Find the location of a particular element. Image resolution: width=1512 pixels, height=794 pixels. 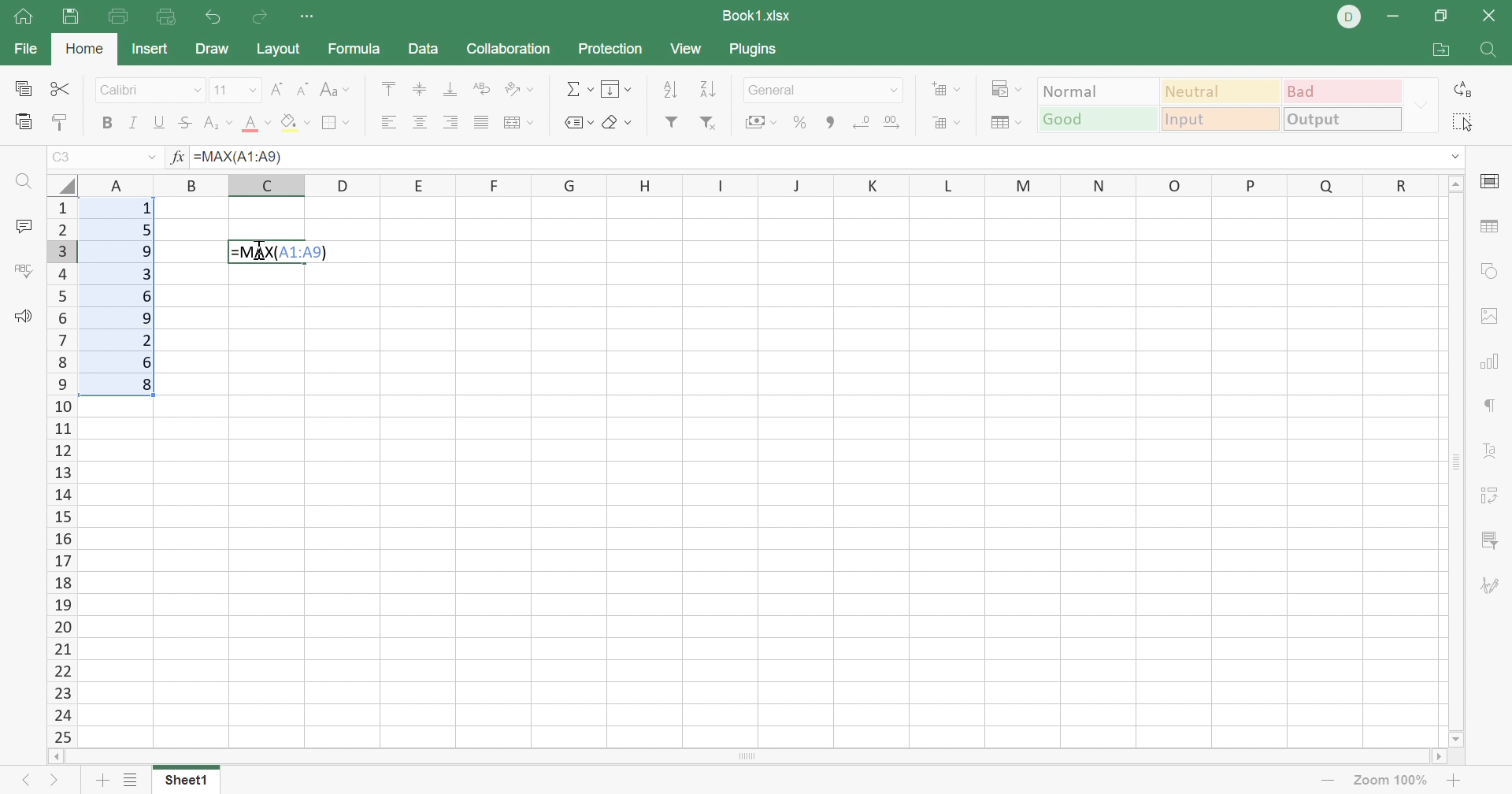

Align Middle is located at coordinates (417, 89).